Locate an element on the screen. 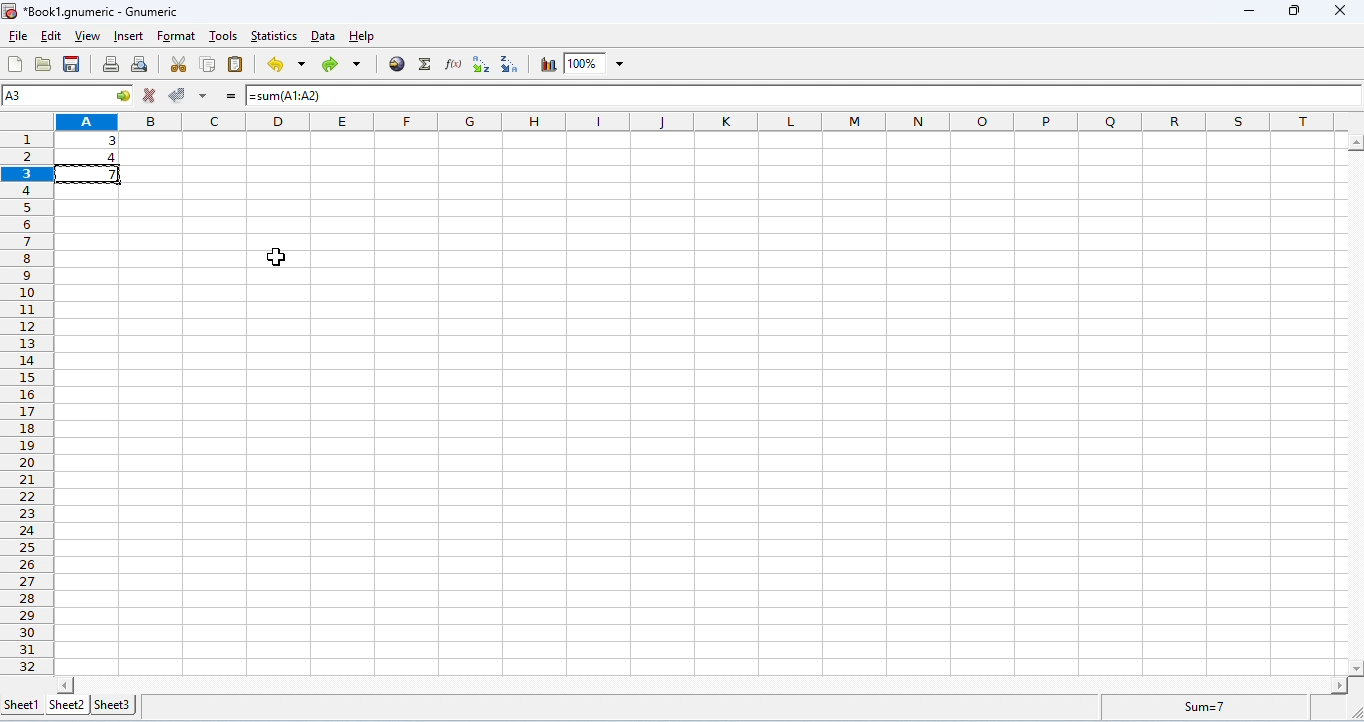 The height and width of the screenshot is (722, 1364). file is located at coordinates (19, 36).